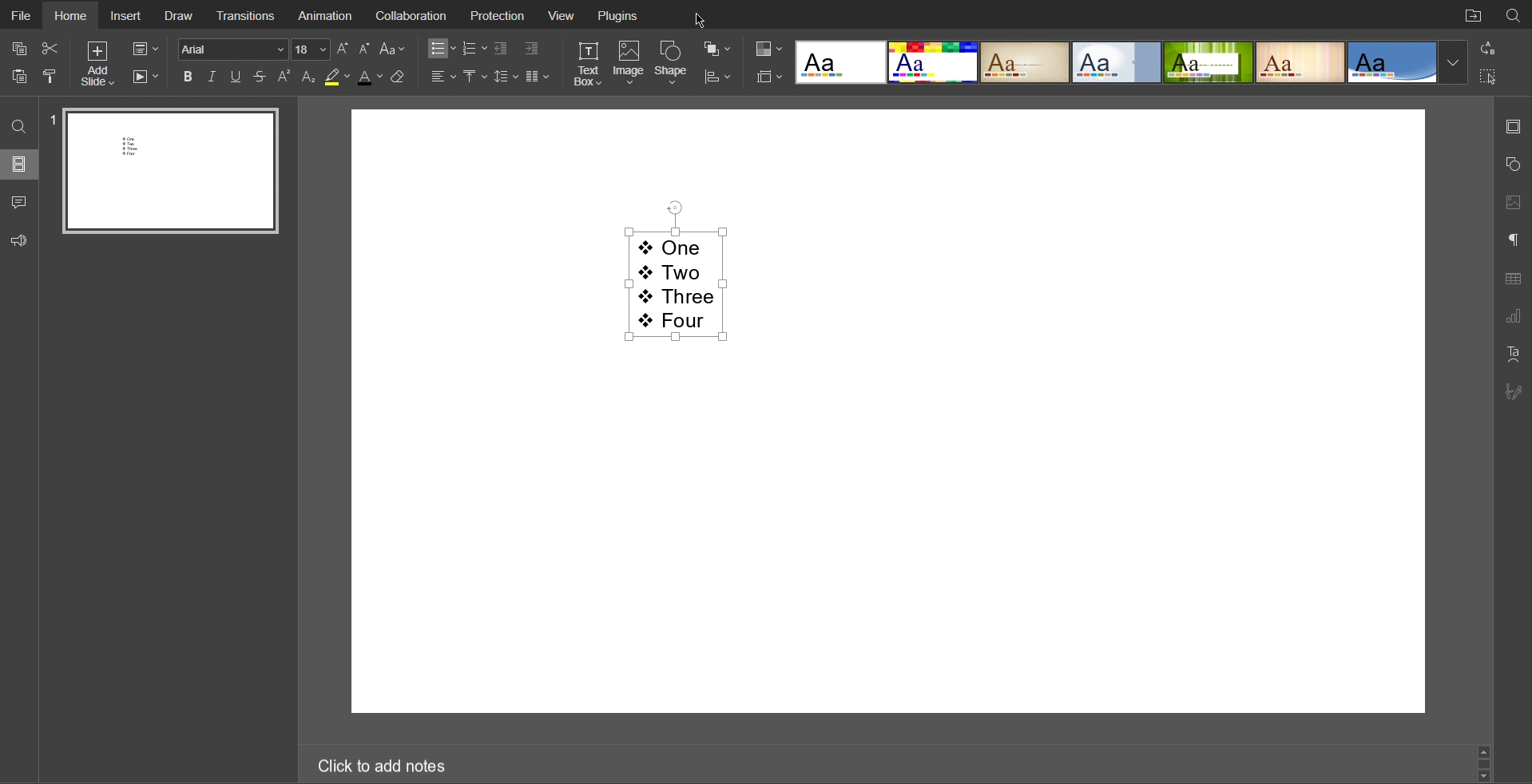  I want to click on Cut Copy Paste Options, so click(37, 63).